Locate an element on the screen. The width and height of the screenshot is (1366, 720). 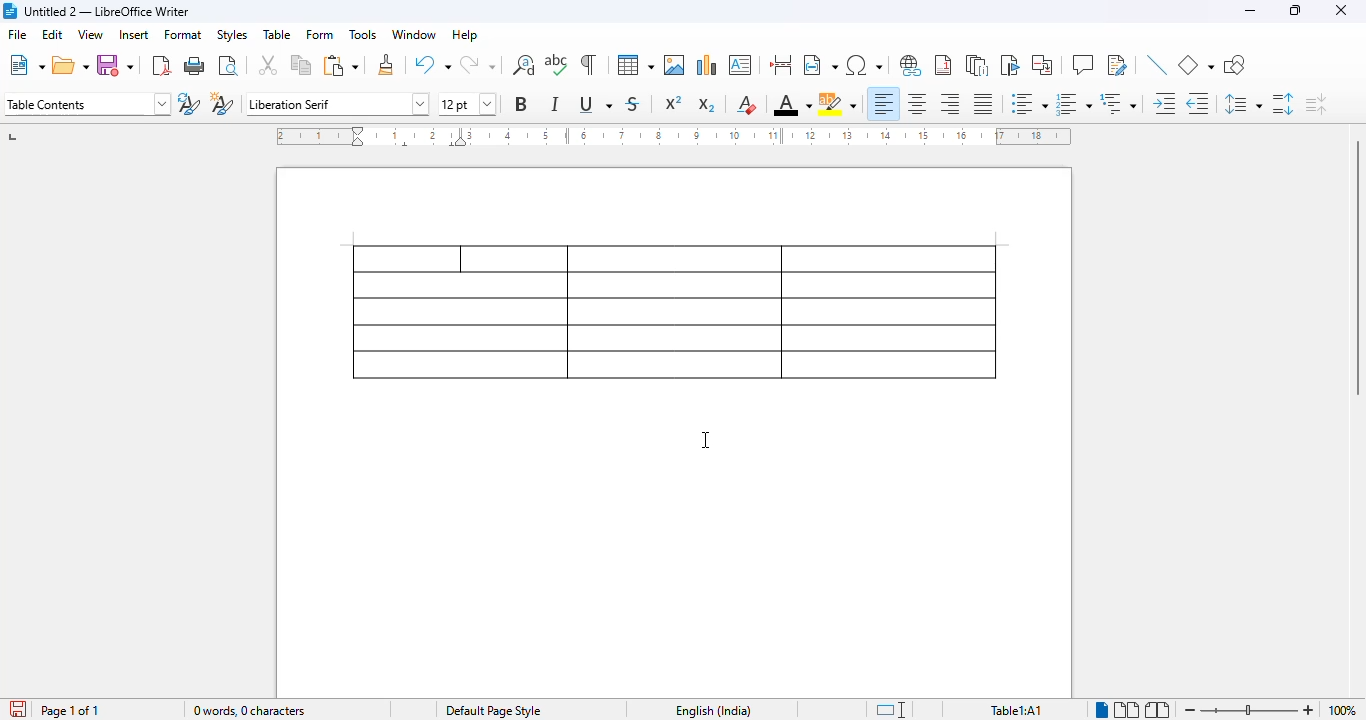
page 1 of 1 is located at coordinates (70, 710).